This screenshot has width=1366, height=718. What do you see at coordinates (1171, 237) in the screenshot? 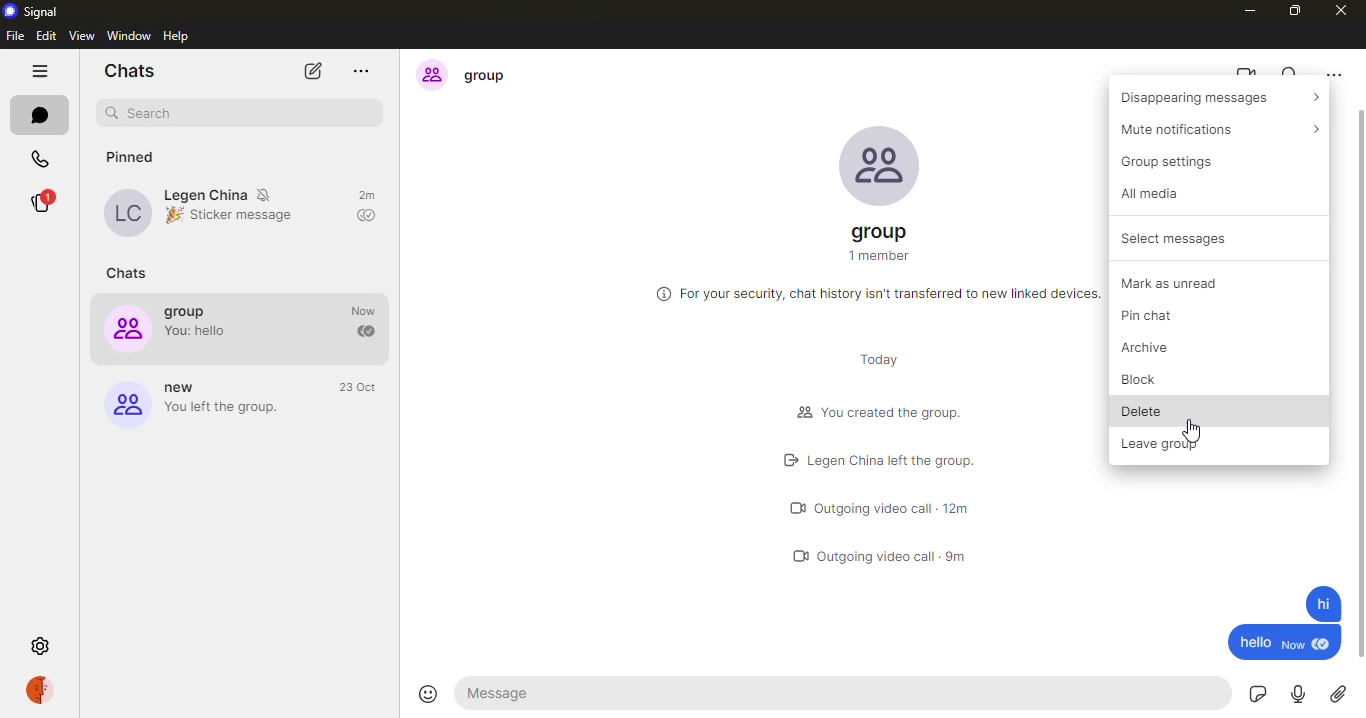
I see `select messages` at bounding box center [1171, 237].